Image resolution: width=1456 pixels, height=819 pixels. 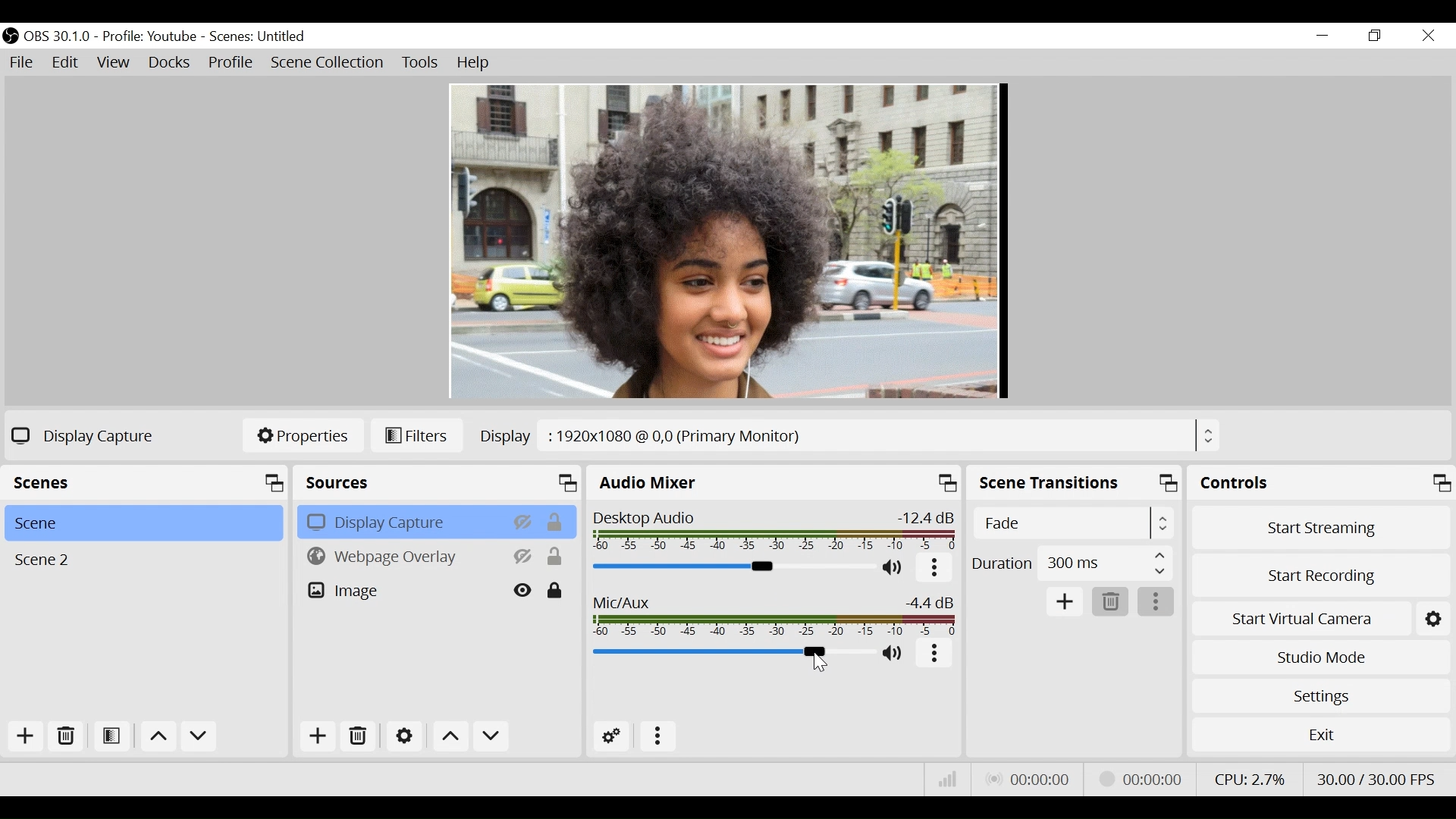 I want to click on Start Streaming, so click(x=1317, y=528).